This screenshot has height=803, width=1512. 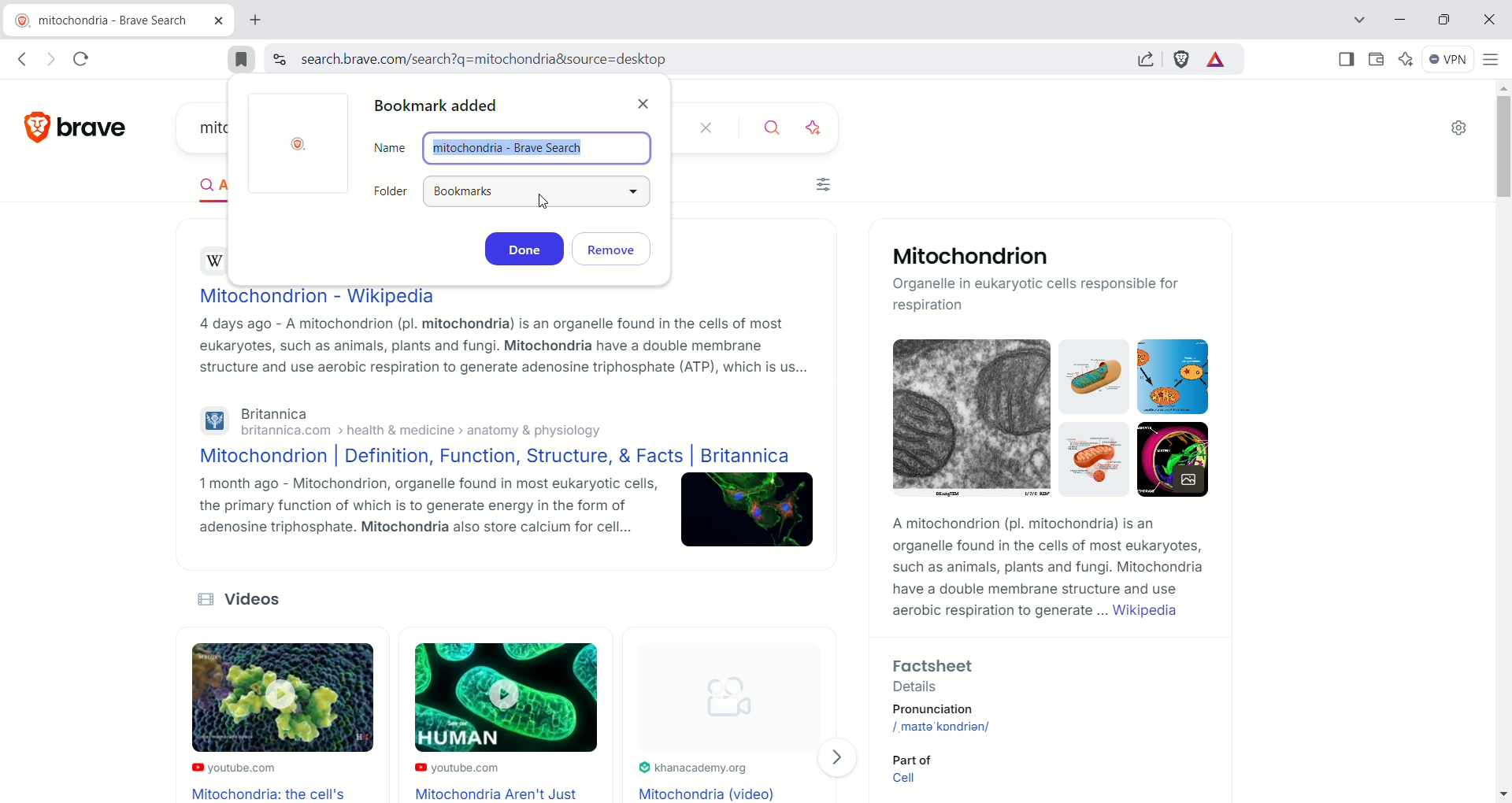 What do you see at coordinates (83, 57) in the screenshot?
I see `reload` at bounding box center [83, 57].